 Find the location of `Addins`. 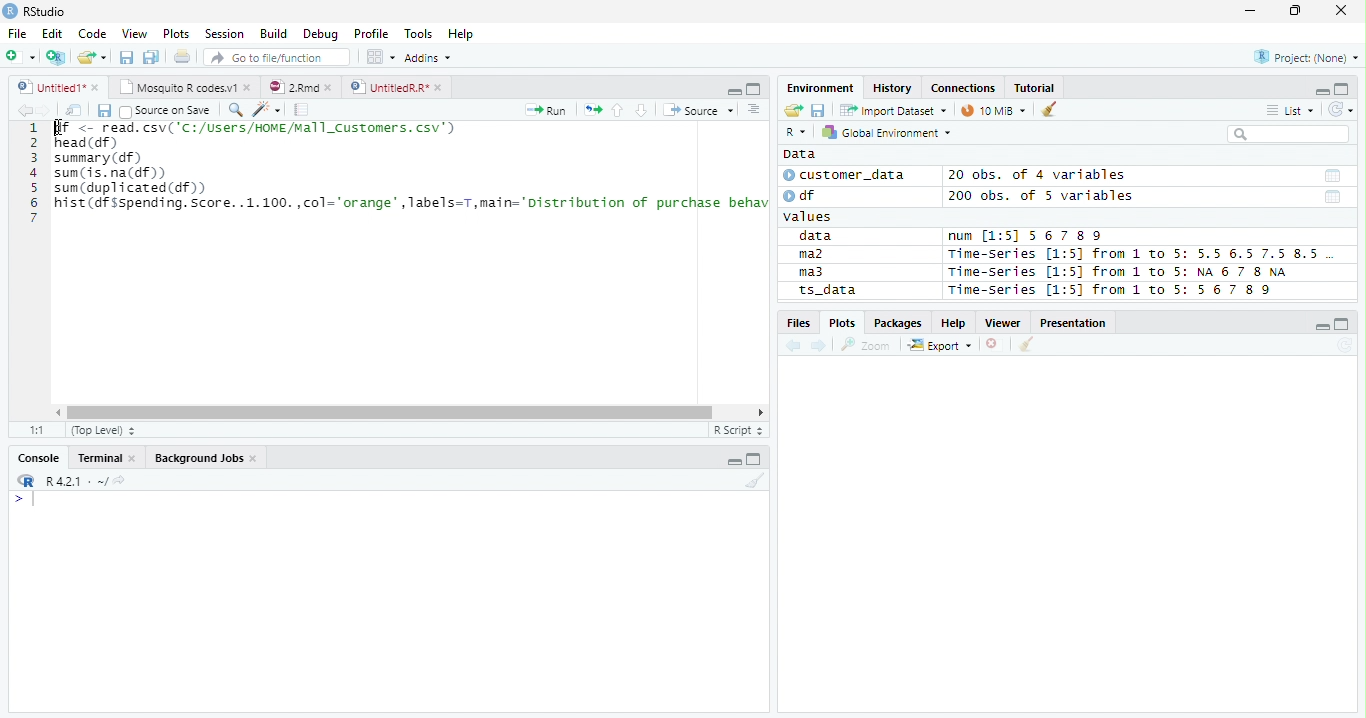

Addins is located at coordinates (430, 57).